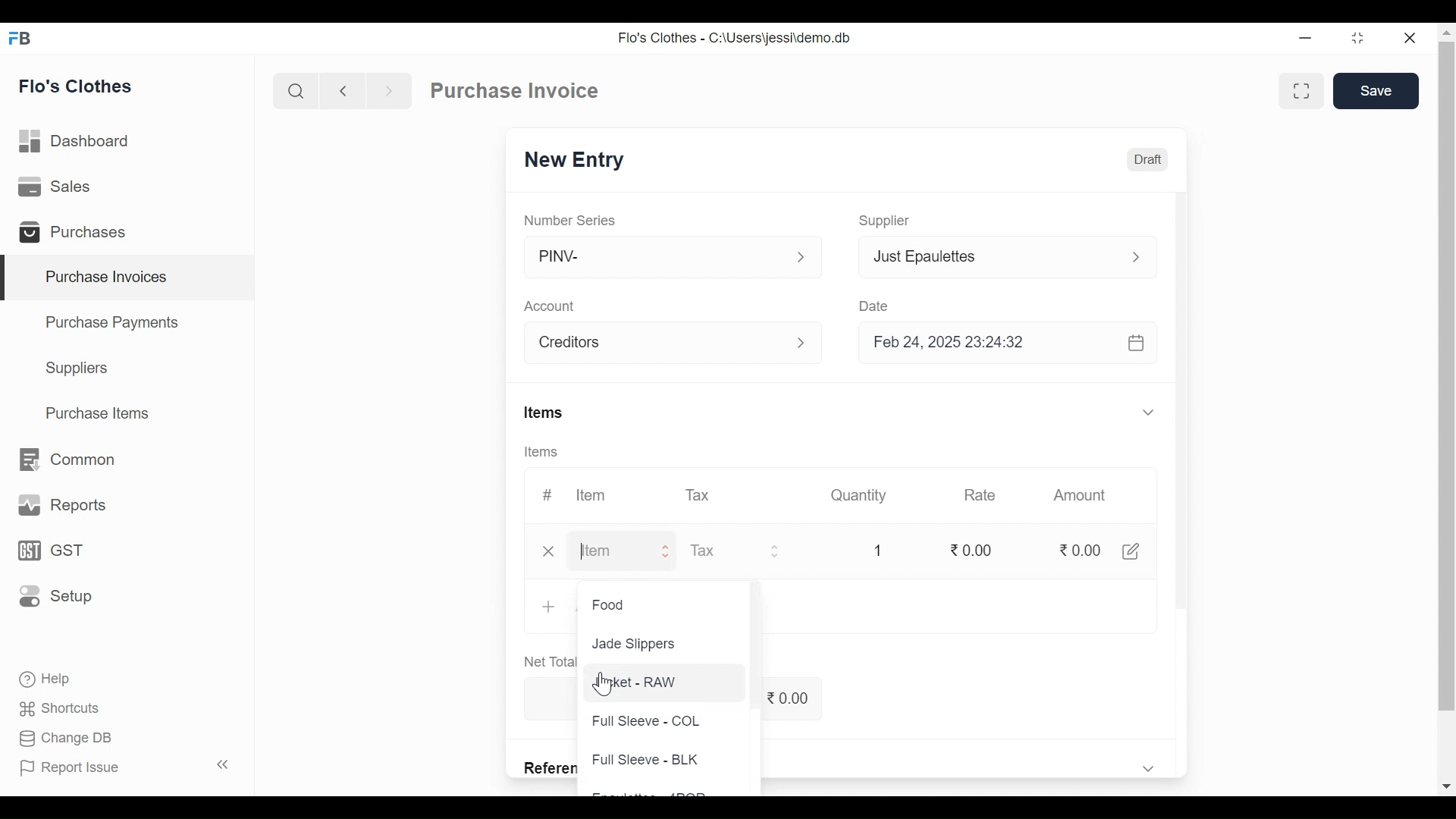  I want to click on Amount, so click(1081, 495).